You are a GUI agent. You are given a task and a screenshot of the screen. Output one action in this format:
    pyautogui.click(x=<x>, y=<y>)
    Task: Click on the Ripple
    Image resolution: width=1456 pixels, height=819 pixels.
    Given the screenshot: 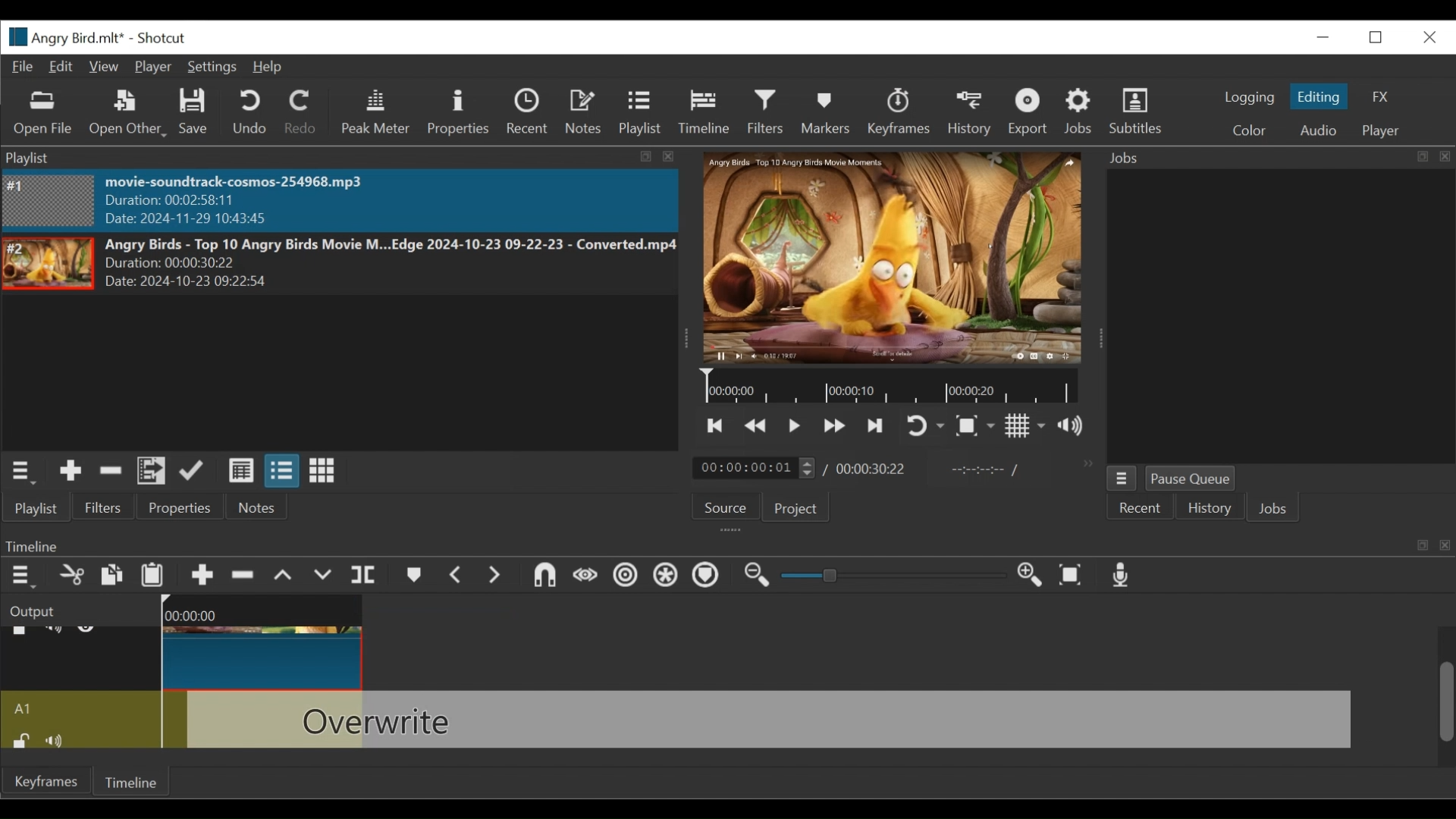 What is the action you would take?
    pyautogui.click(x=625, y=578)
    